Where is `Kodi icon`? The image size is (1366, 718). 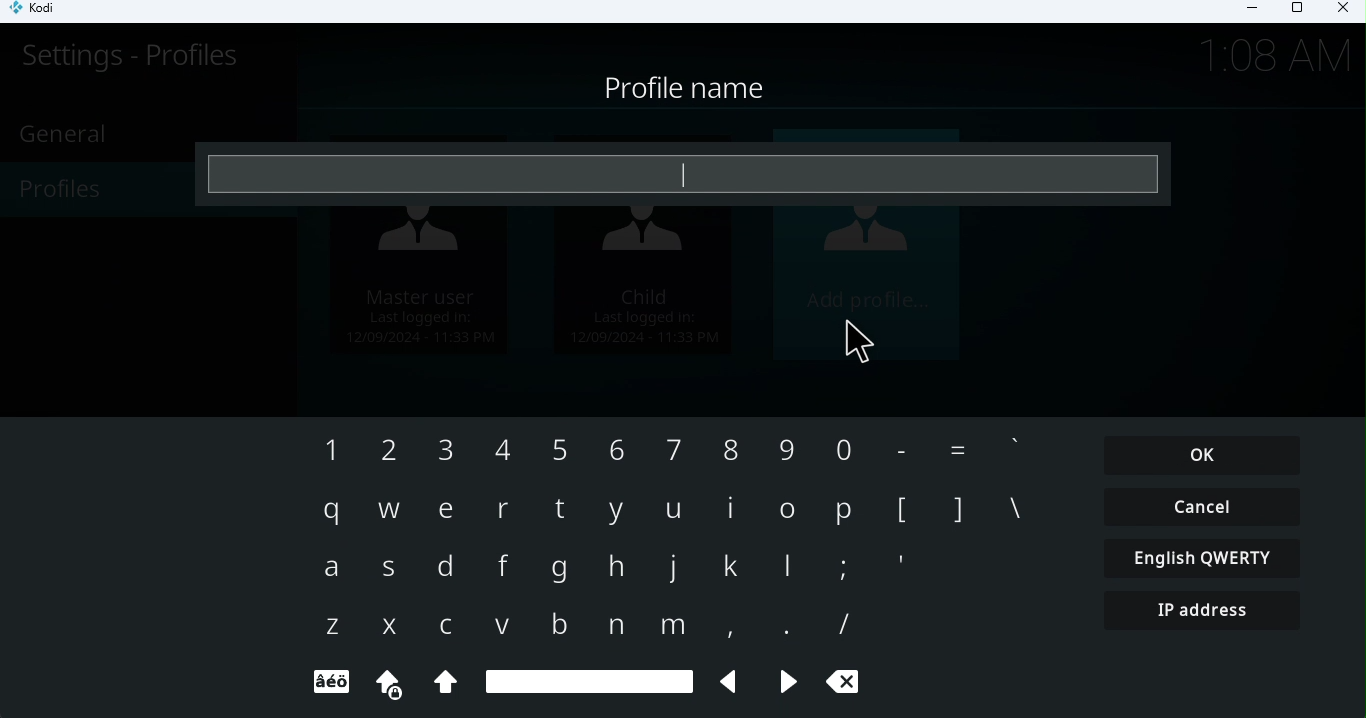
Kodi icon is located at coordinates (42, 12).